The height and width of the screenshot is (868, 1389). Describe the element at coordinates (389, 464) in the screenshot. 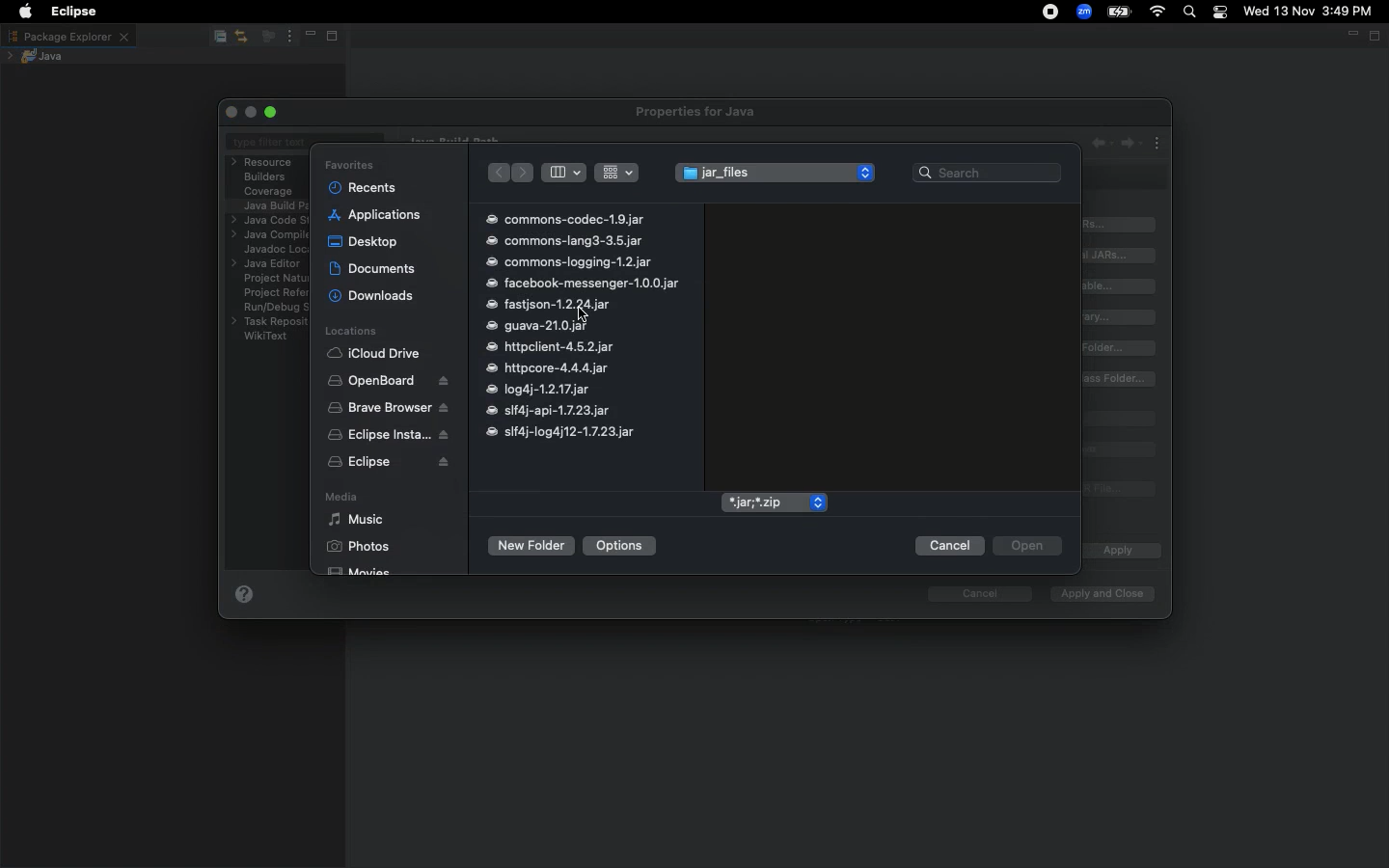

I see `Eclipse` at that location.